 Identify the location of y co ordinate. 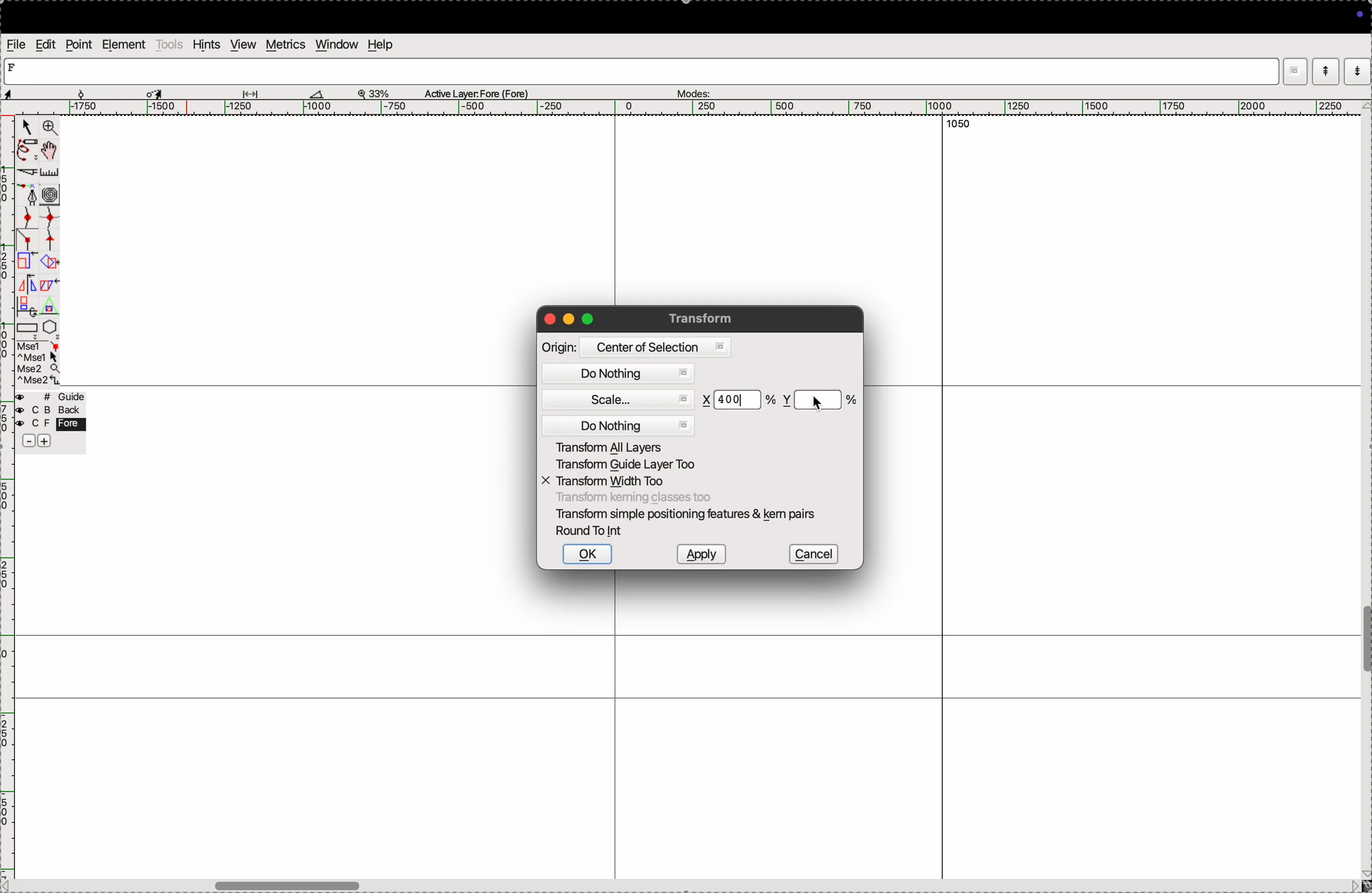
(787, 400).